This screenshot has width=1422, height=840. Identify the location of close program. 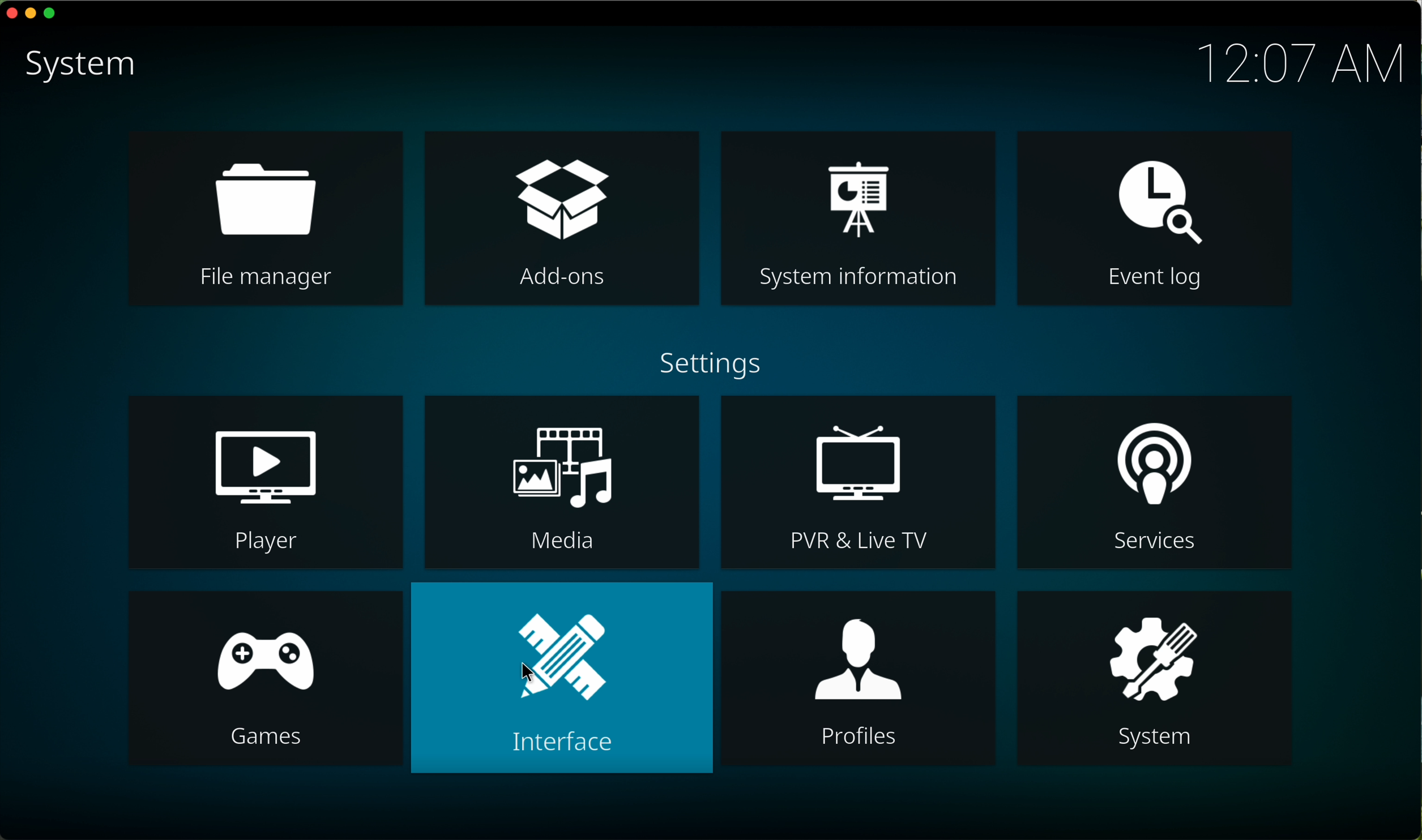
(10, 15).